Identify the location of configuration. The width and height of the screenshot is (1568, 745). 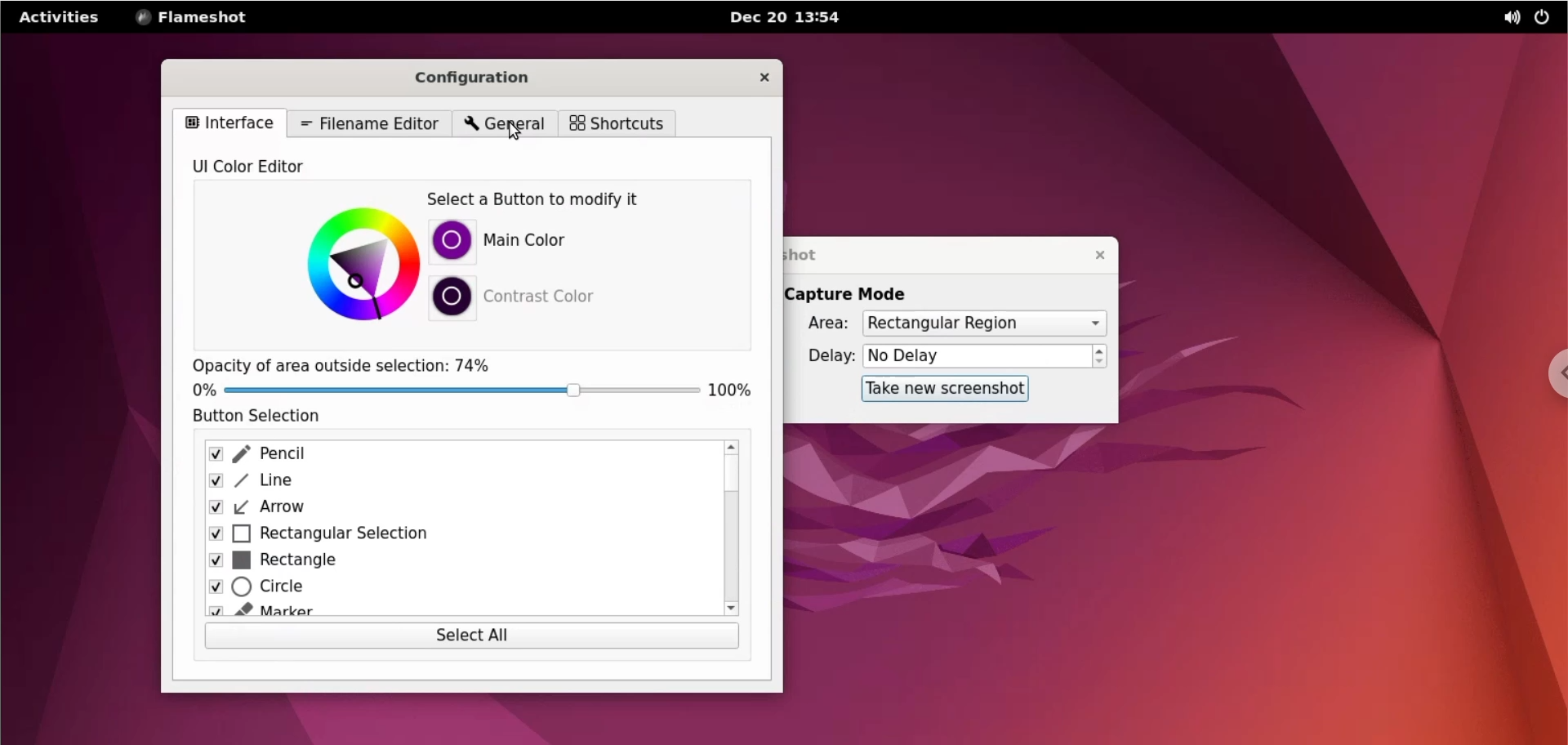
(489, 74).